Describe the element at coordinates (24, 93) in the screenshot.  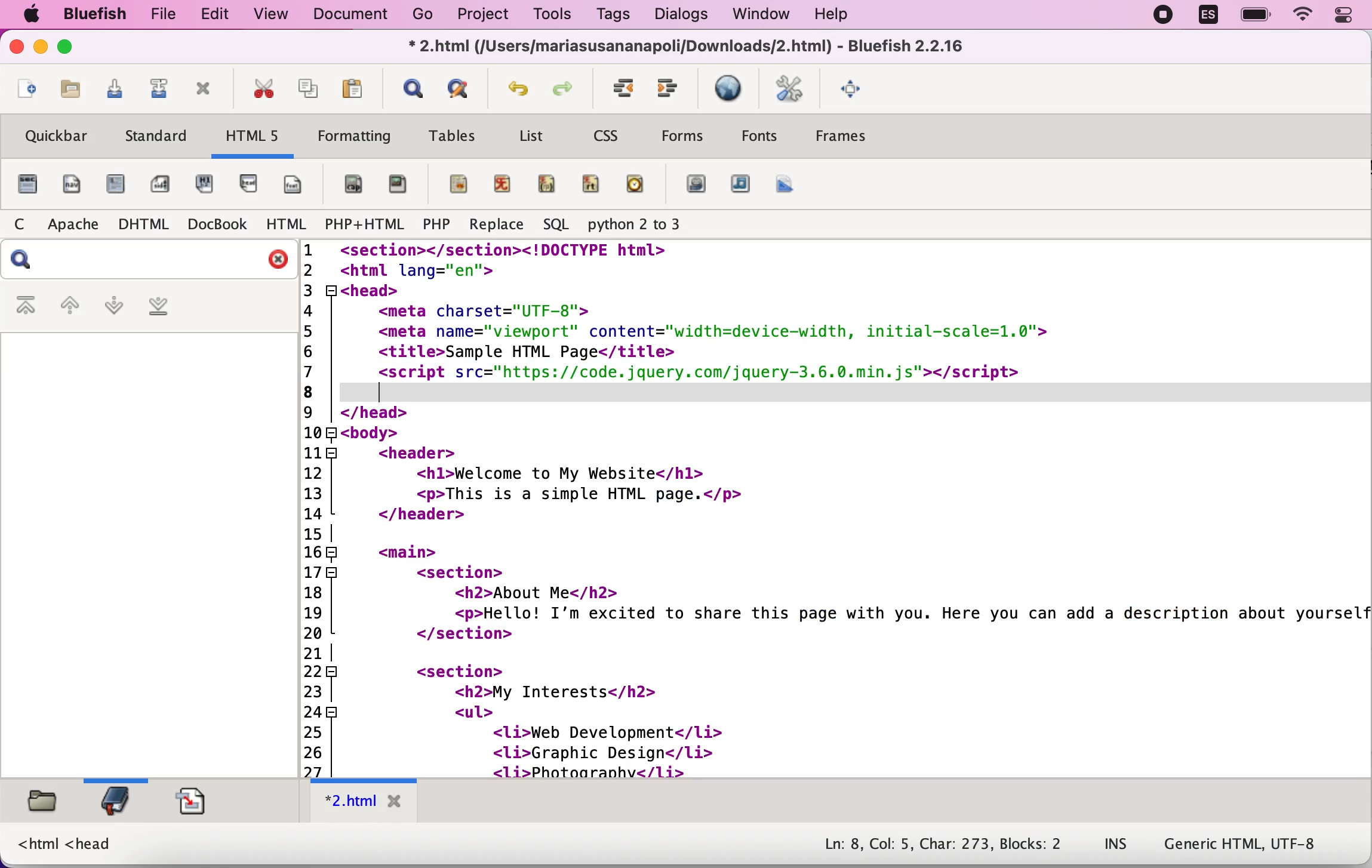
I see `new file` at that location.